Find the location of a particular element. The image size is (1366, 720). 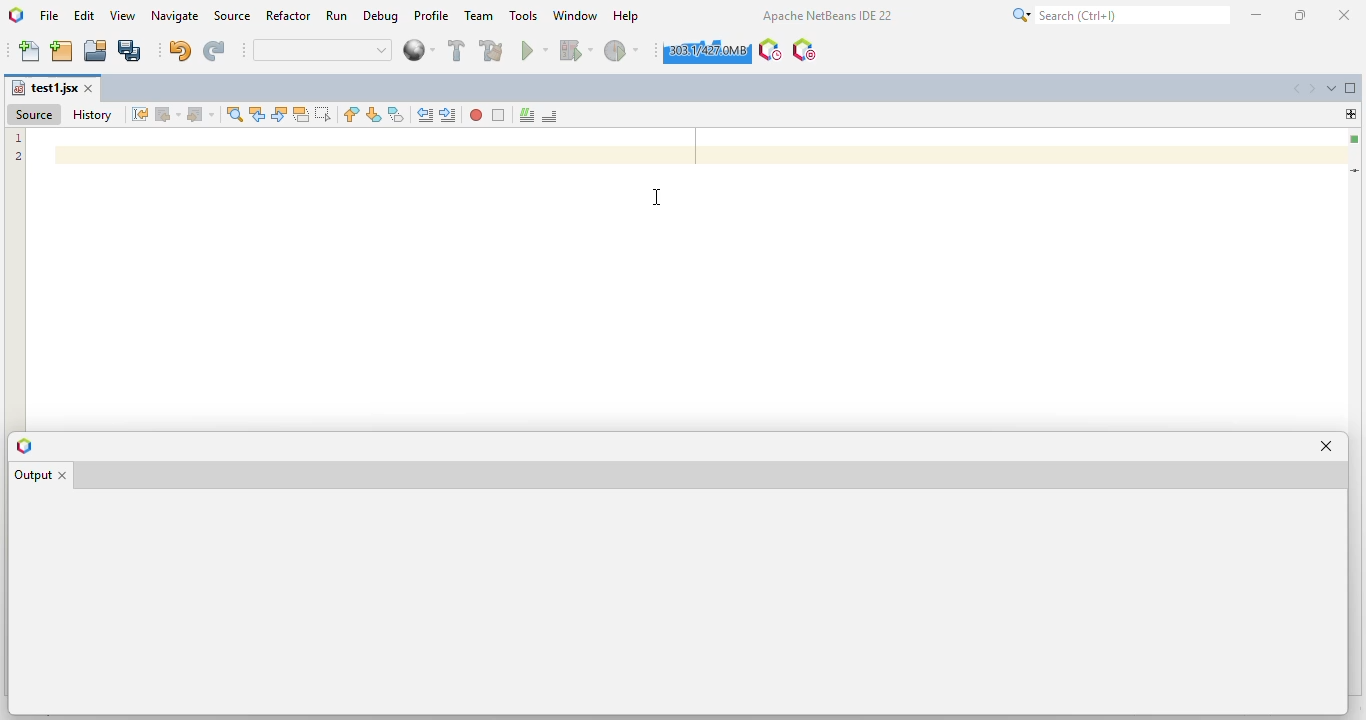

undo is located at coordinates (181, 50).